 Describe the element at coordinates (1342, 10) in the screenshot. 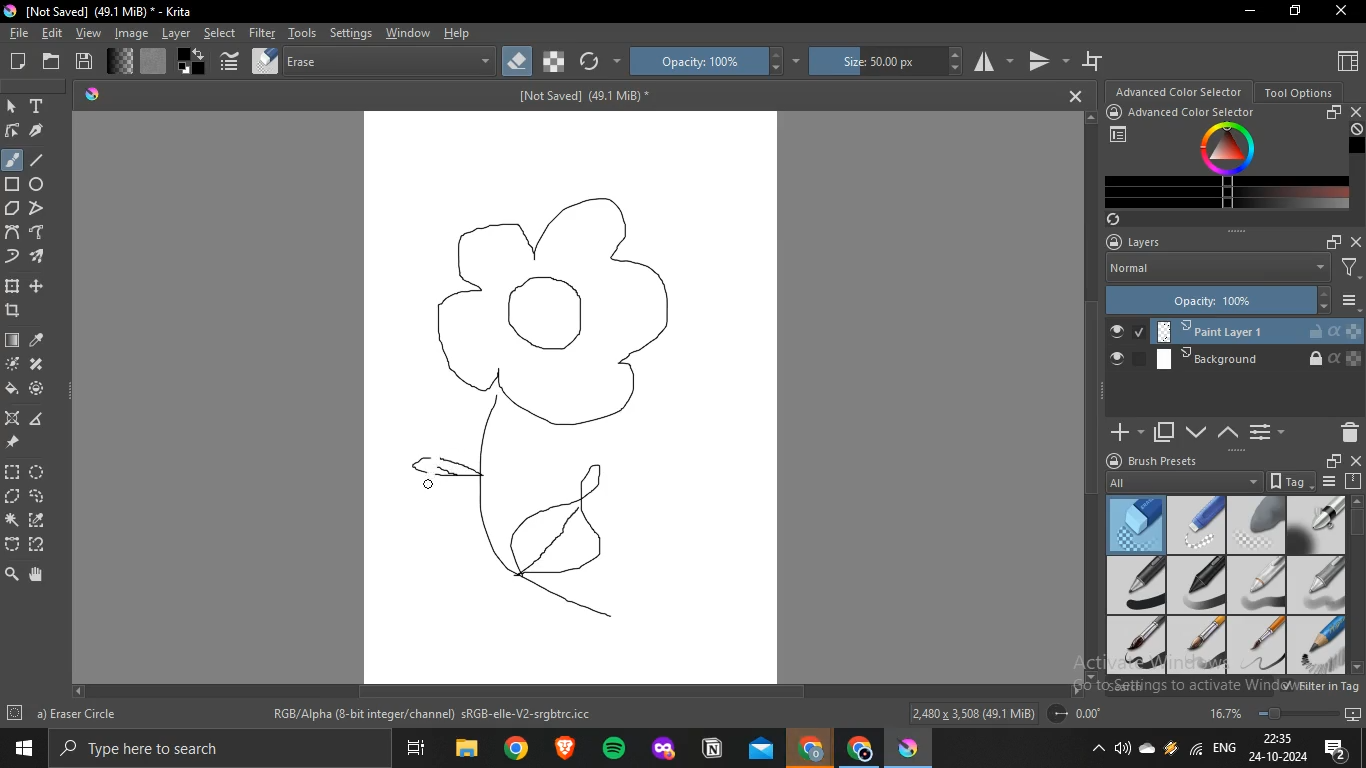

I see `Close` at that location.